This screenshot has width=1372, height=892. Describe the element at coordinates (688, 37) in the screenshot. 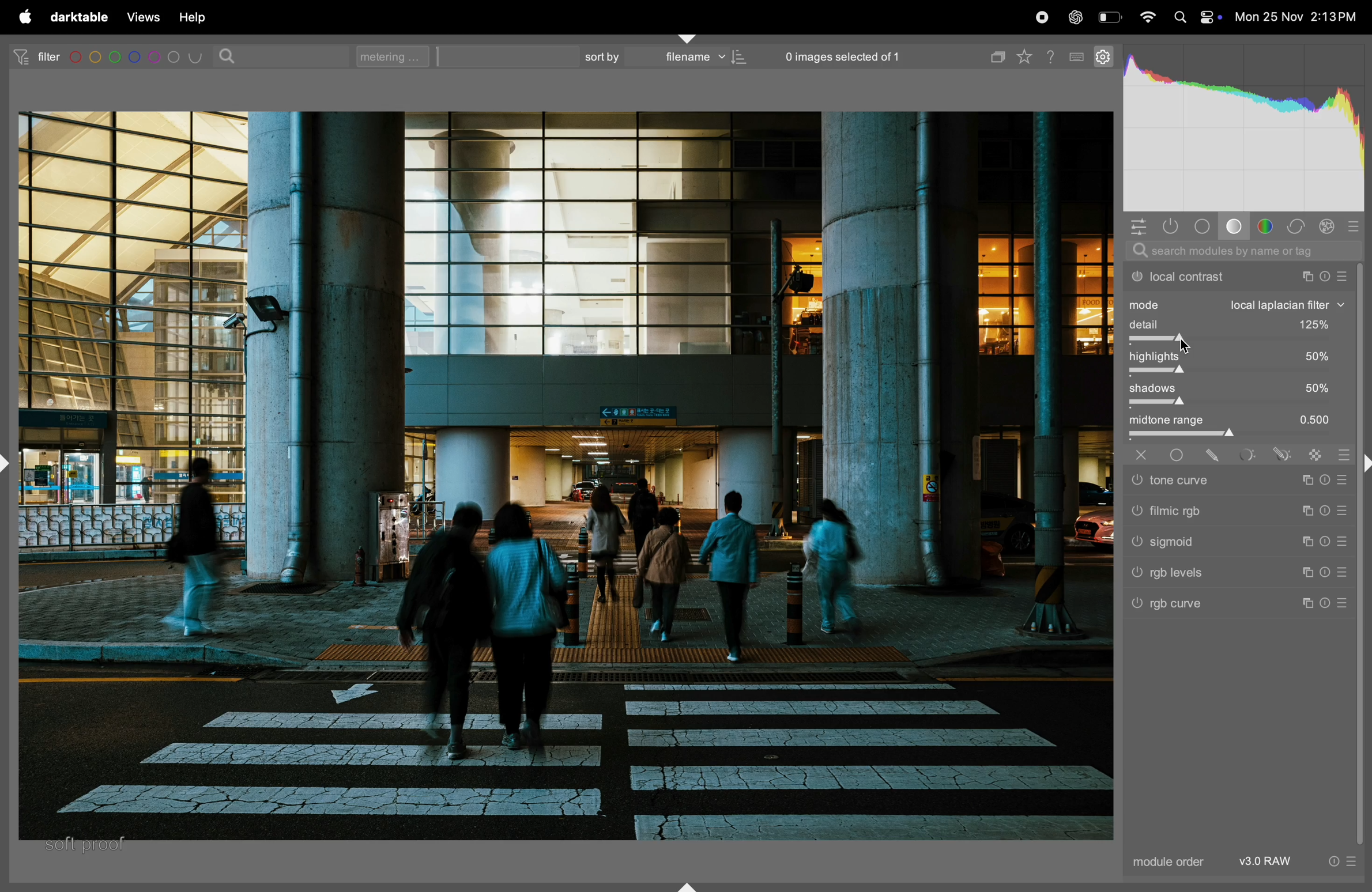

I see `shift+ctrl+t` at that location.